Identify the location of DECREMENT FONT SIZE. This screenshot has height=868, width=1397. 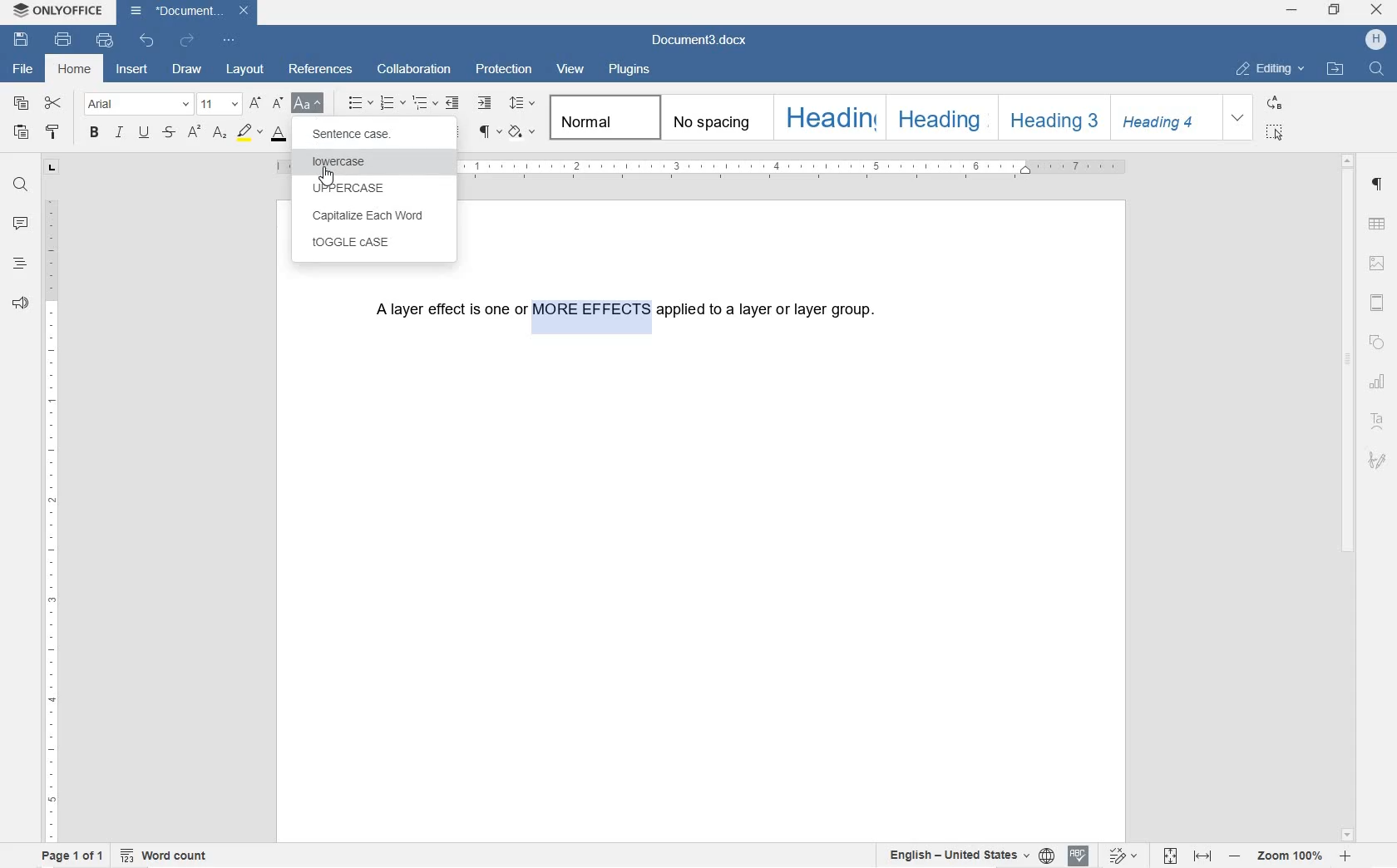
(255, 104).